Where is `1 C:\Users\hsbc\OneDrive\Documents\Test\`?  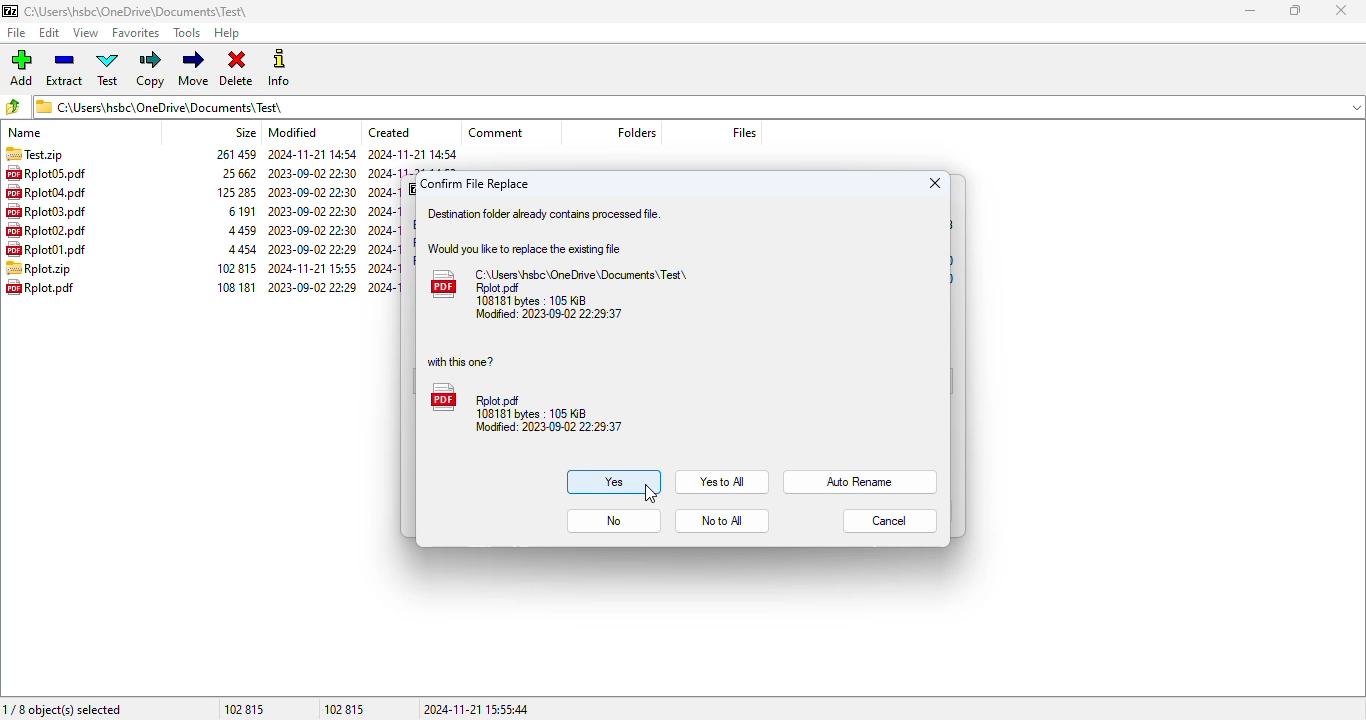 1 C:\Users\hsbc\OneDrive\Documents\Test\ is located at coordinates (700, 107).